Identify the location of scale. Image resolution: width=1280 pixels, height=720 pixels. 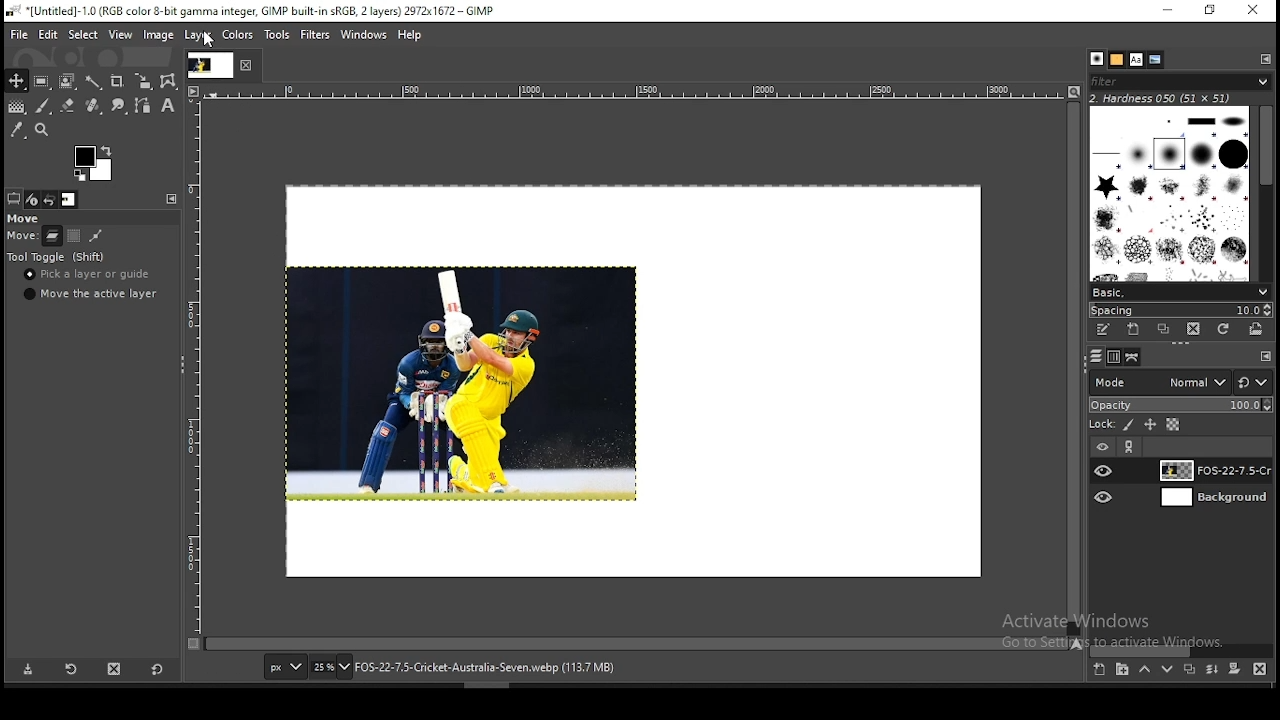
(196, 366).